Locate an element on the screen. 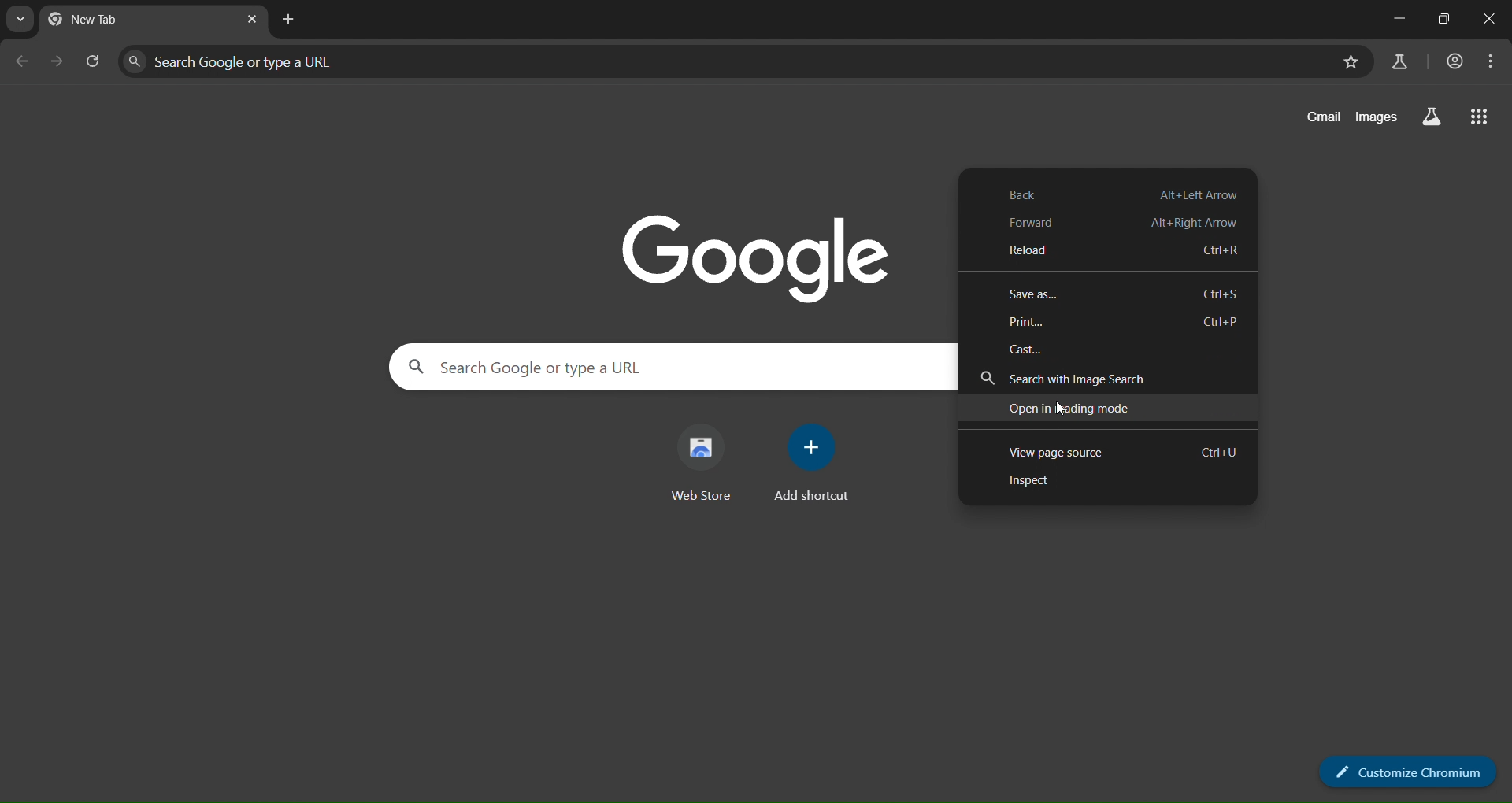 This screenshot has height=803, width=1512. search with image search is located at coordinates (1088, 377).